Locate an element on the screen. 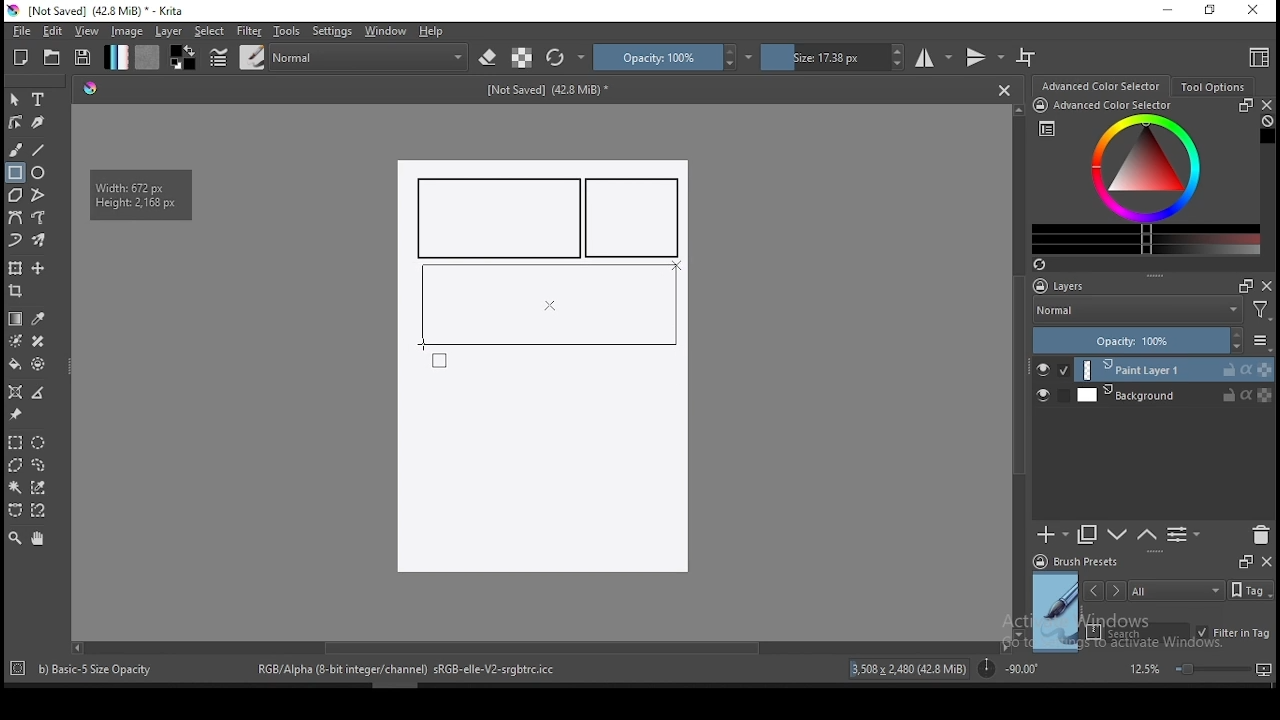 The image size is (1280, 720). restore is located at coordinates (1214, 11).